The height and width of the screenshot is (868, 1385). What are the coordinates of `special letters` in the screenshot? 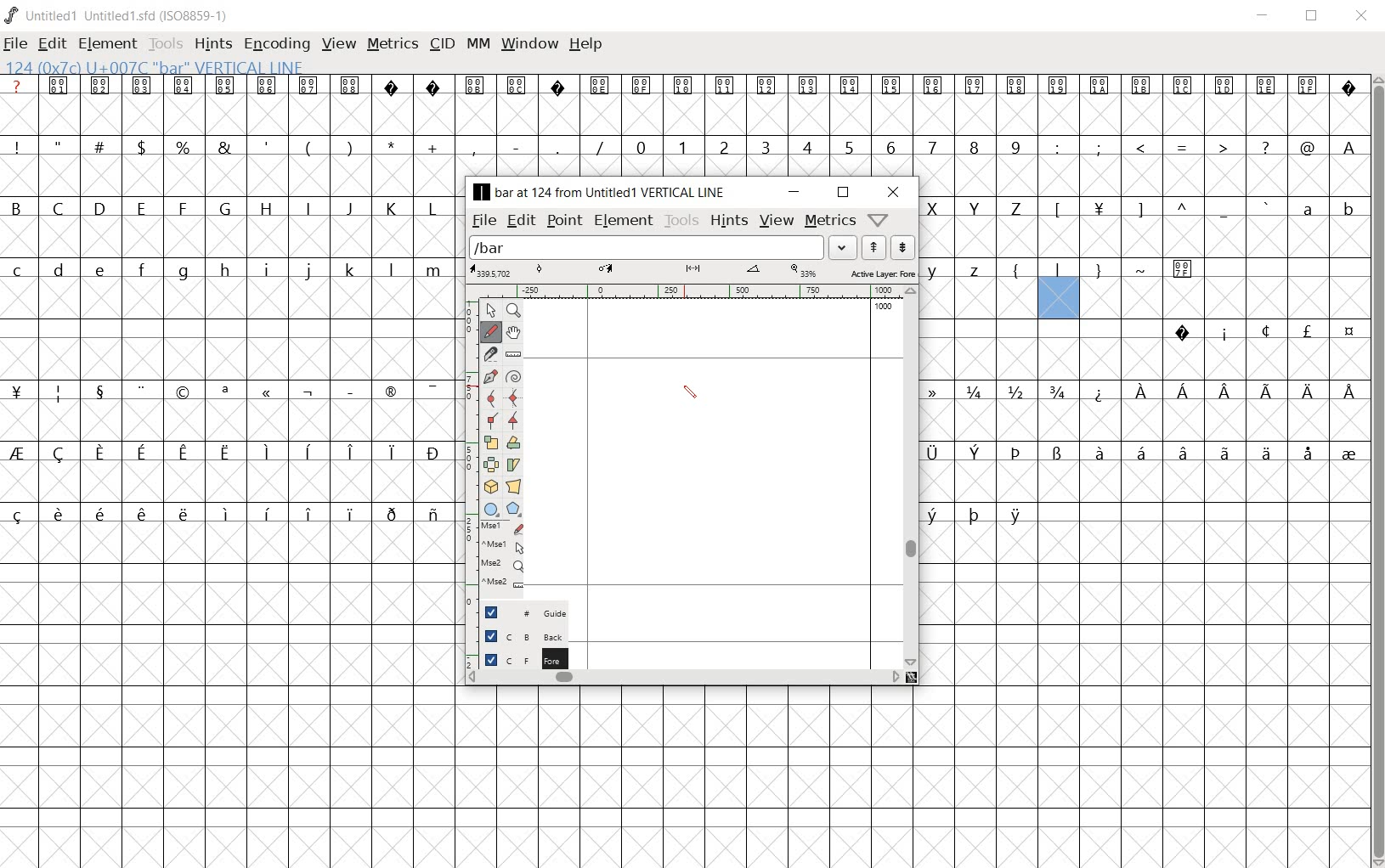 It's located at (1144, 451).